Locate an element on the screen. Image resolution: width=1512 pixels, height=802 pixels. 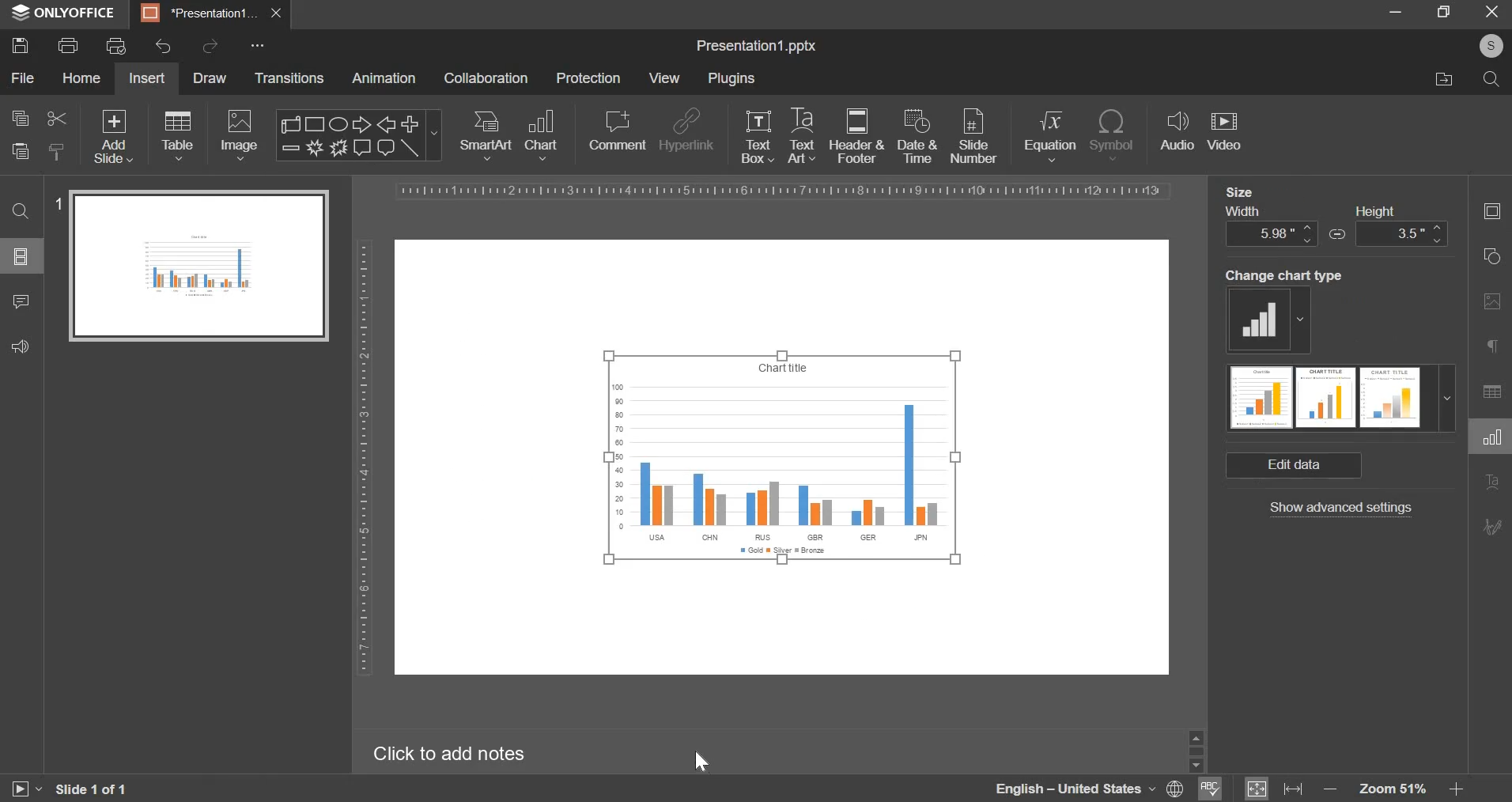
chart title is located at coordinates (781, 368).